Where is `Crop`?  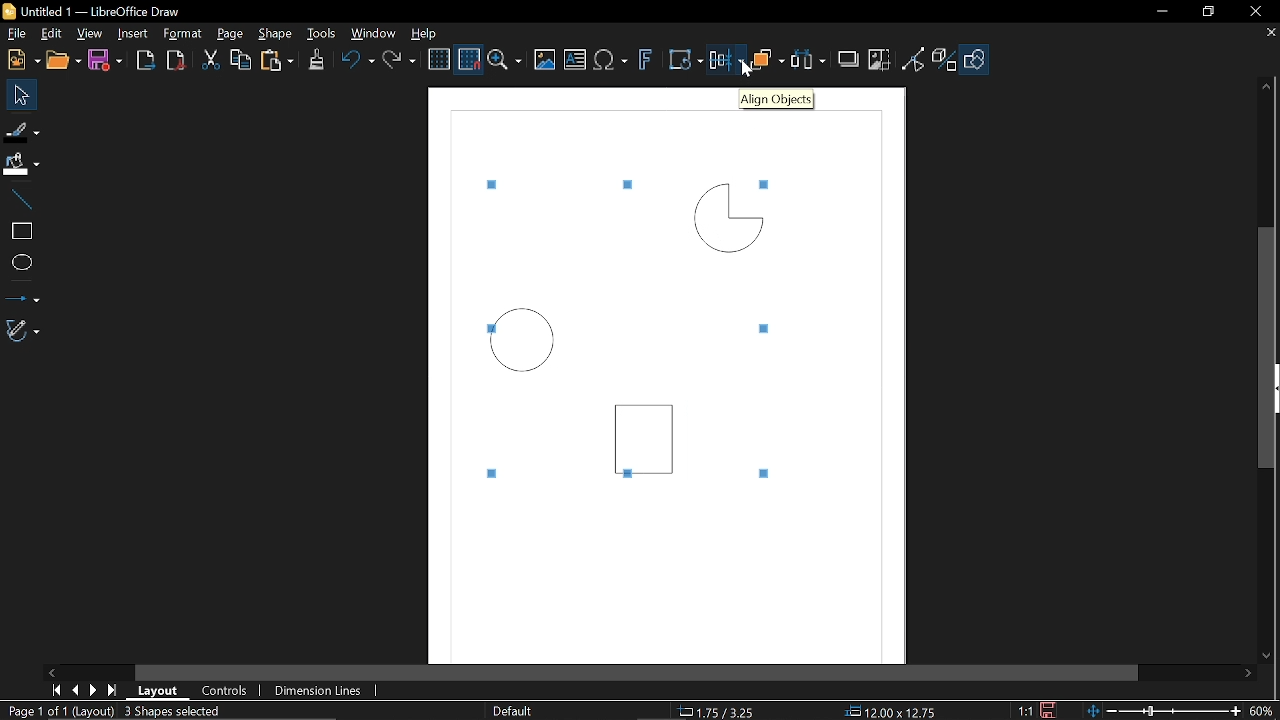 Crop is located at coordinates (879, 58).